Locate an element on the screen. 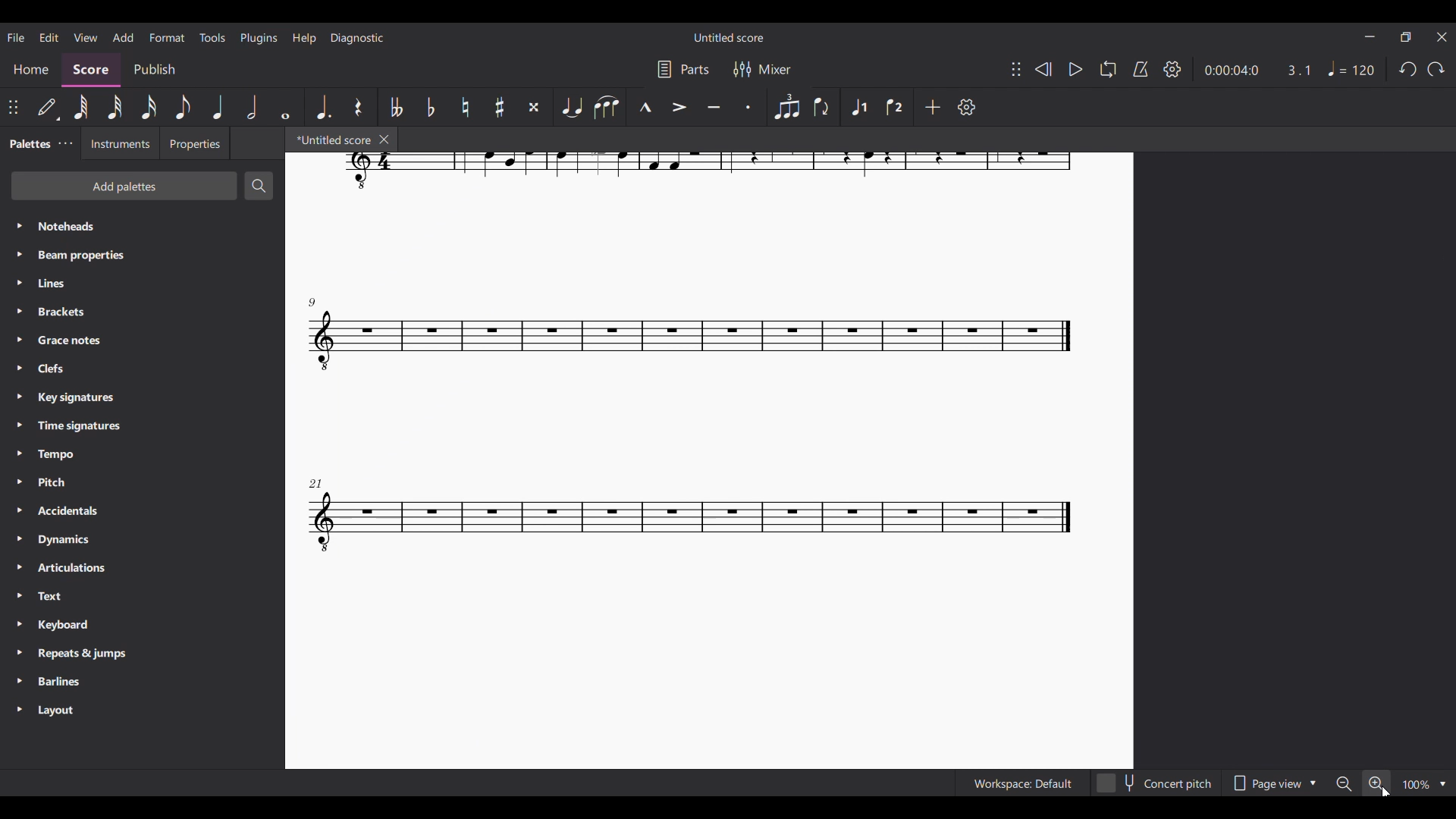 This screenshot has width=1456, height=819. Articulations is located at coordinates (142, 568).